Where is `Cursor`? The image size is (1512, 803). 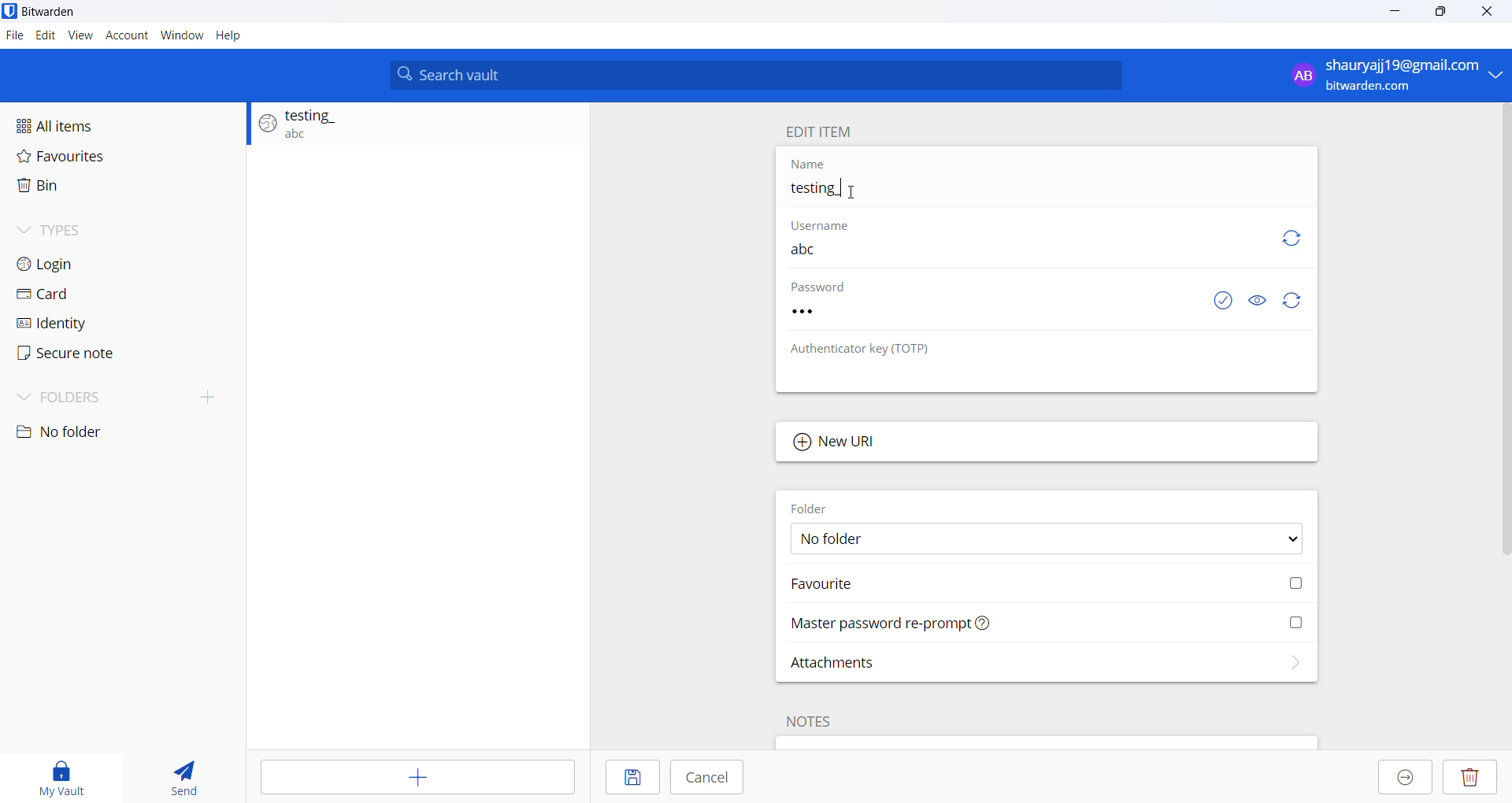
Cursor is located at coordinates (853, 193).